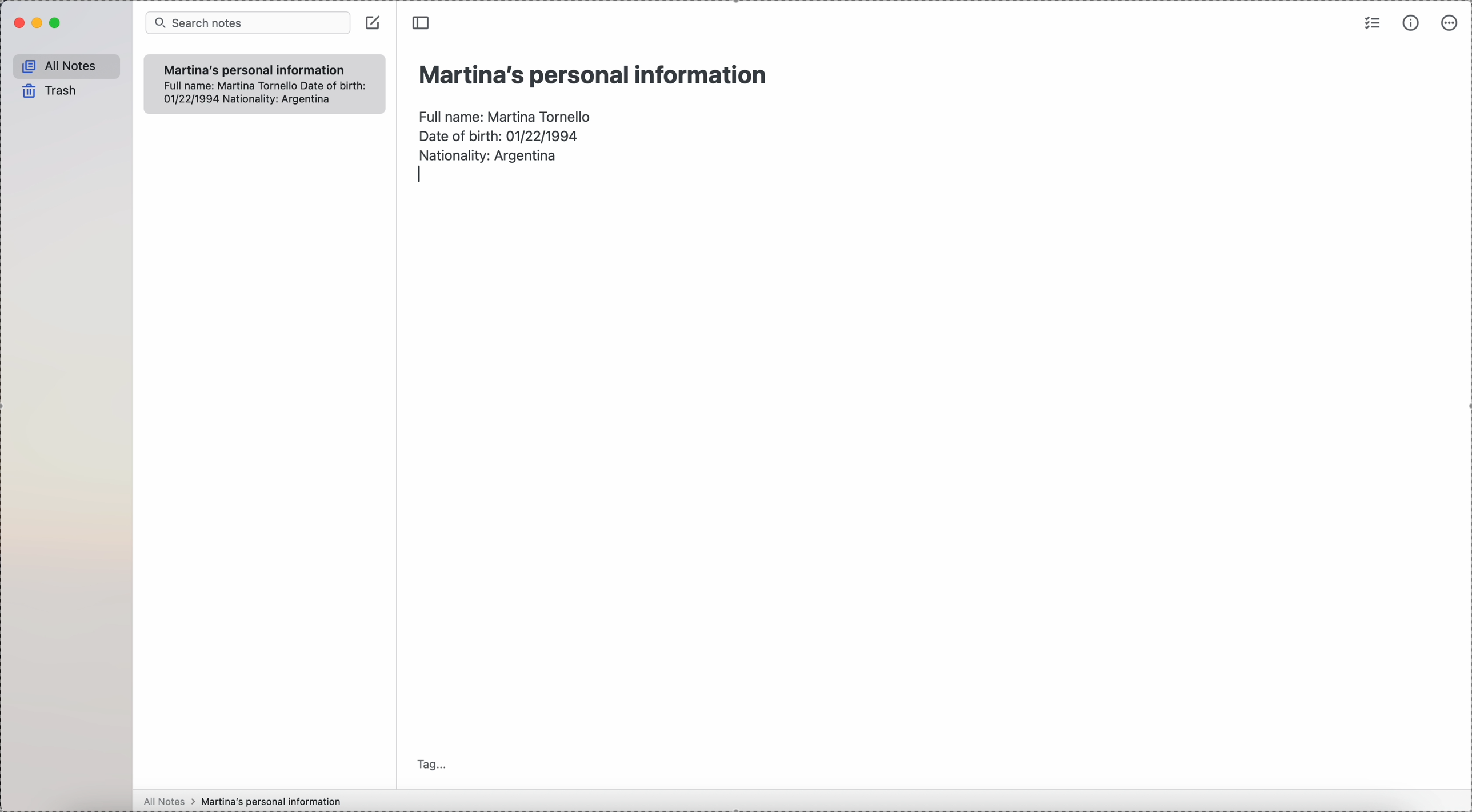  I want to click on maximize Simplenote, so click(56, 23).